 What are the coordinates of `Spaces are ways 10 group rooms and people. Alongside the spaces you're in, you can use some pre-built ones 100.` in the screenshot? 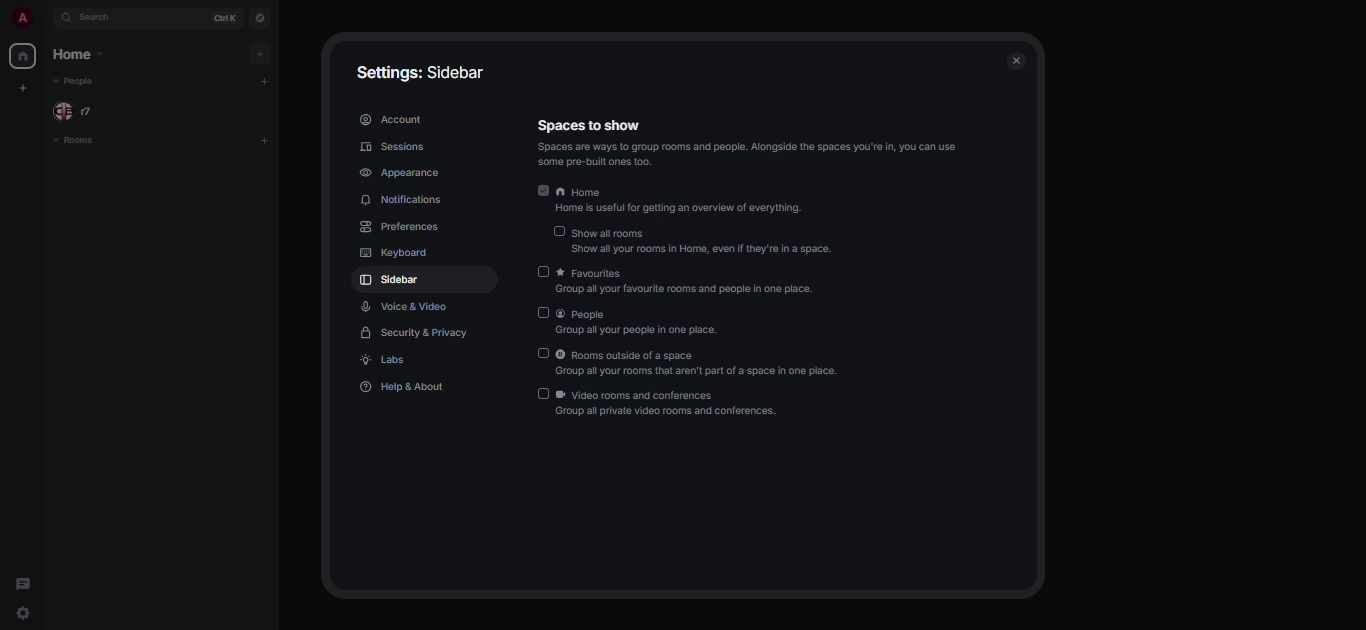 It's located at (757, 155).